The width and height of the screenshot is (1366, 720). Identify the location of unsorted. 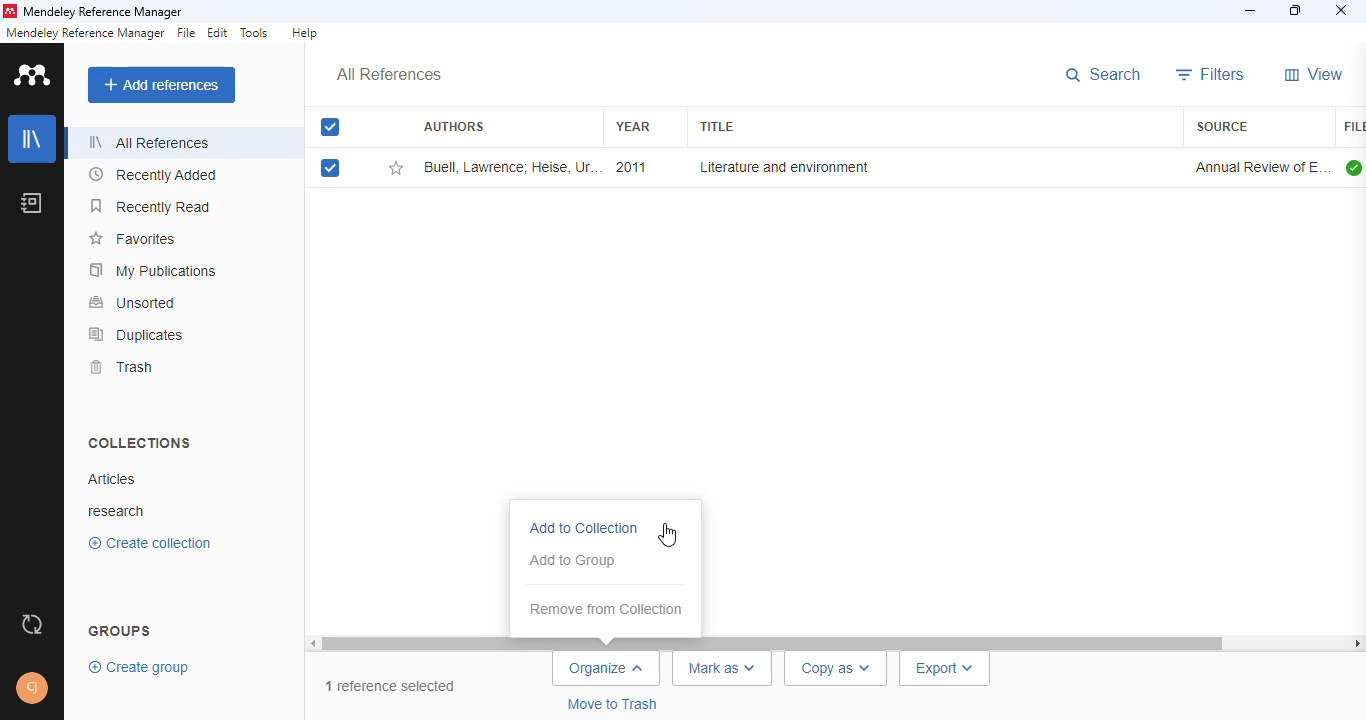
(134, 303).